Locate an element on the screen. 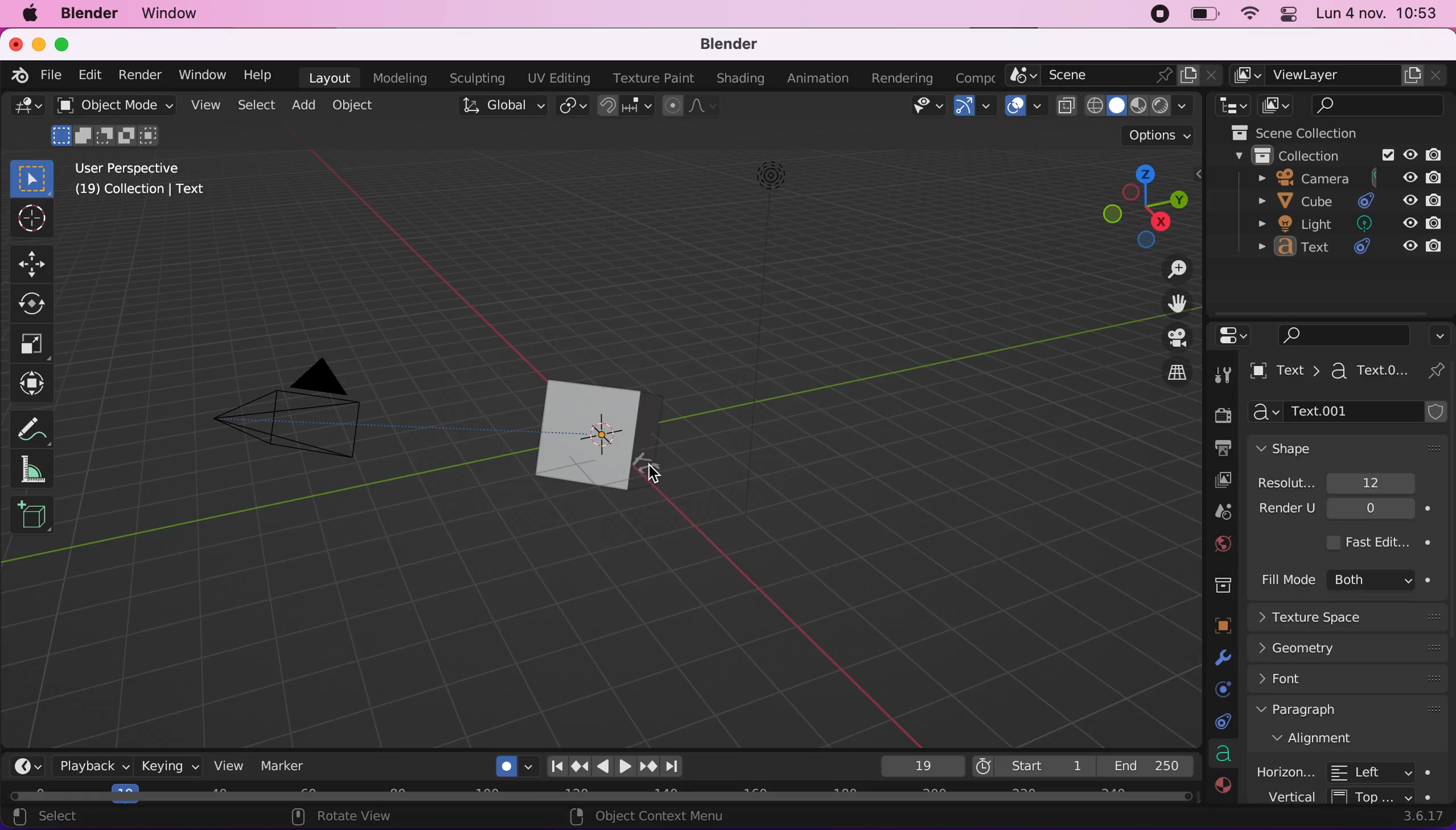 This screenshot has width=1456, height=830. search is located at coordinates (1382, 107).